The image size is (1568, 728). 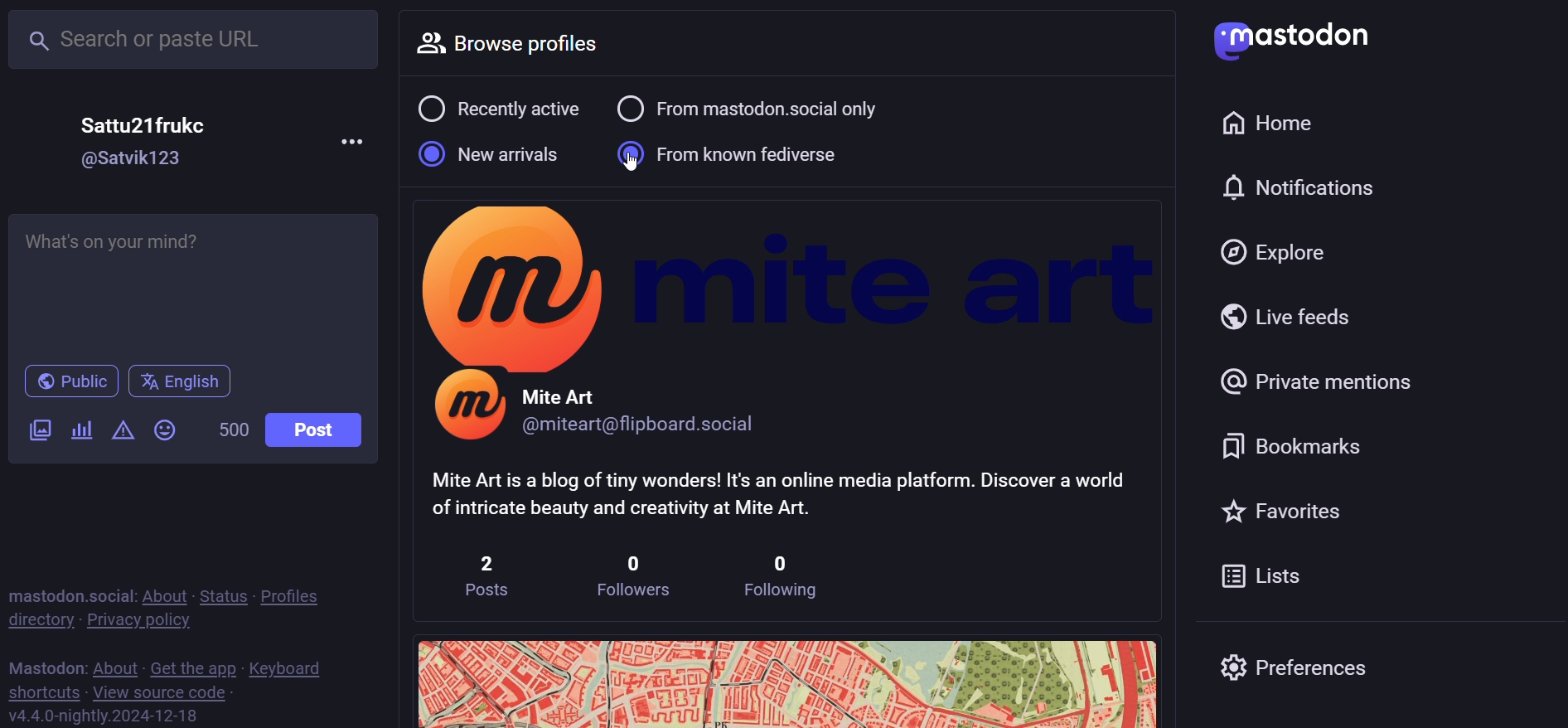 I want to click on Mite Art is a blog of tiny wonders! It's an online media platform. Discover a world
of intricate beauty and creativity at Mite Art., so click(x=778, y=492).